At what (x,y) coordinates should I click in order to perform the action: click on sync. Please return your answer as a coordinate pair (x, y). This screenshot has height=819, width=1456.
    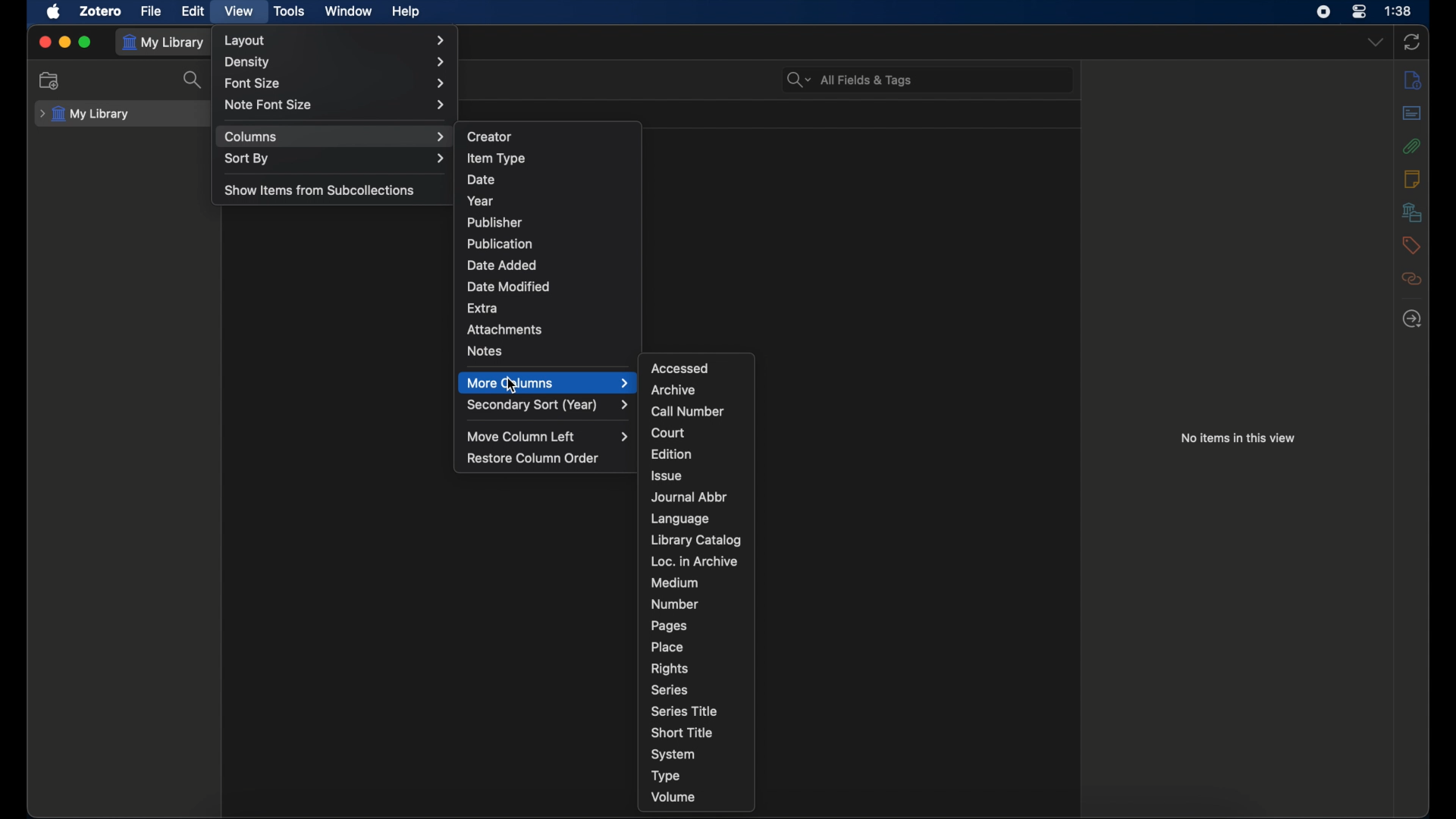
    Looking at the image, I should click on (1411, 42).